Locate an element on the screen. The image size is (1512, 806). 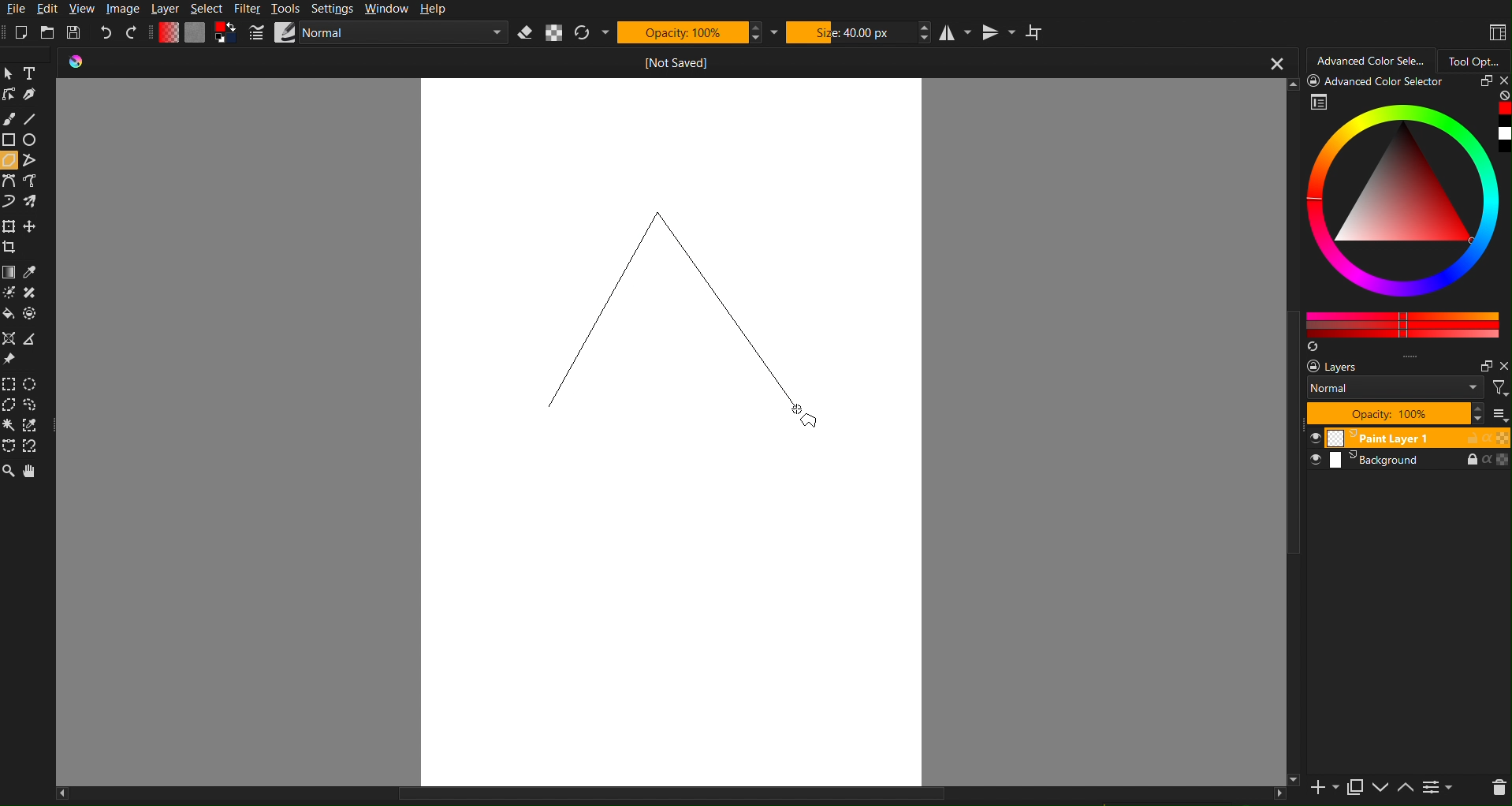
rectangular Selection Tools is located at coordinates (11, 384).